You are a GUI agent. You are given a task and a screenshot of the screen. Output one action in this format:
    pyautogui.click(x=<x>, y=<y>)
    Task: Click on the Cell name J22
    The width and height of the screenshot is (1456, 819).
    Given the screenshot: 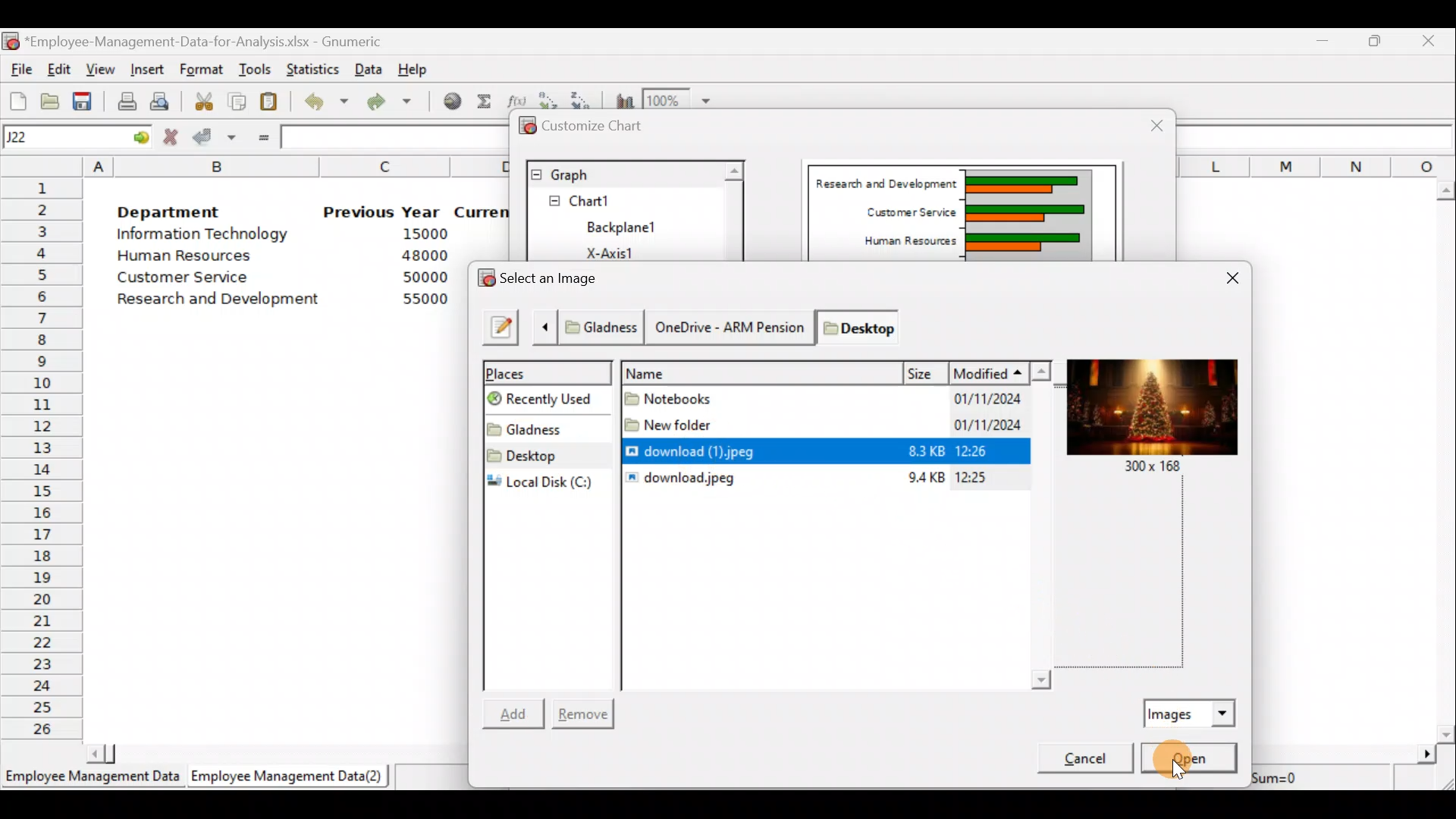 What is the action you would take?
    pyautogui.click(x=58, y=137)
    